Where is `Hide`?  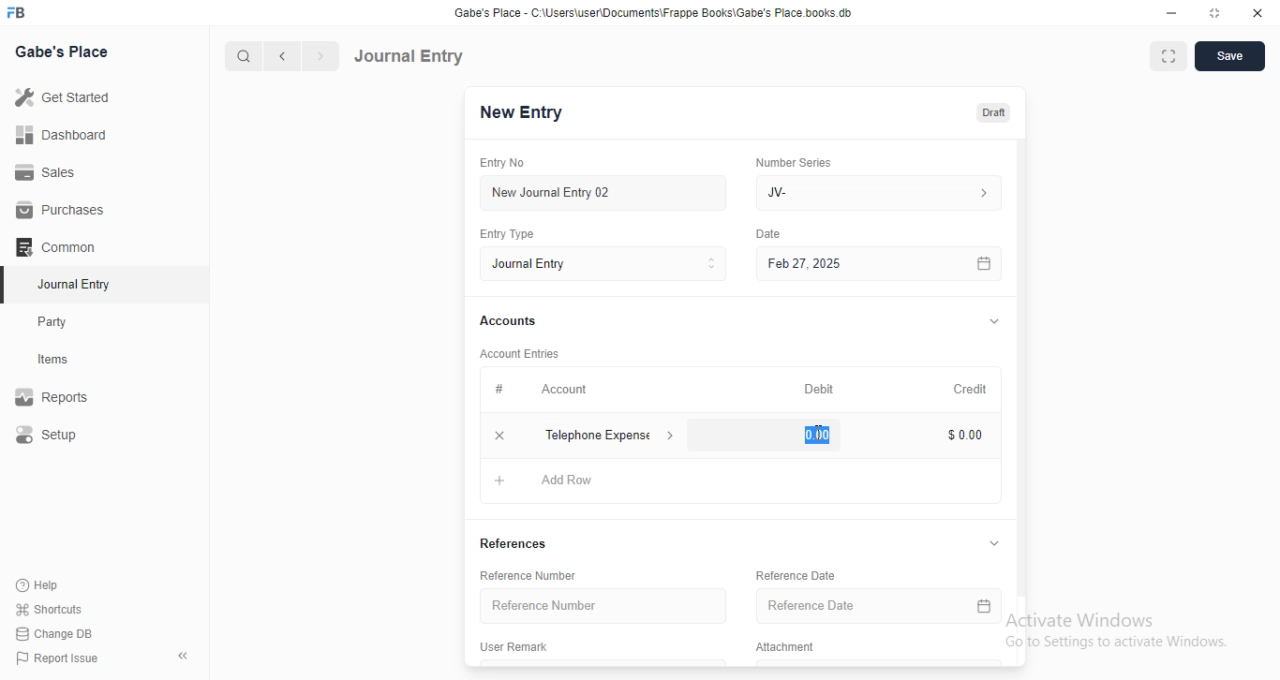
Hide is located at coordinates (990, 544).